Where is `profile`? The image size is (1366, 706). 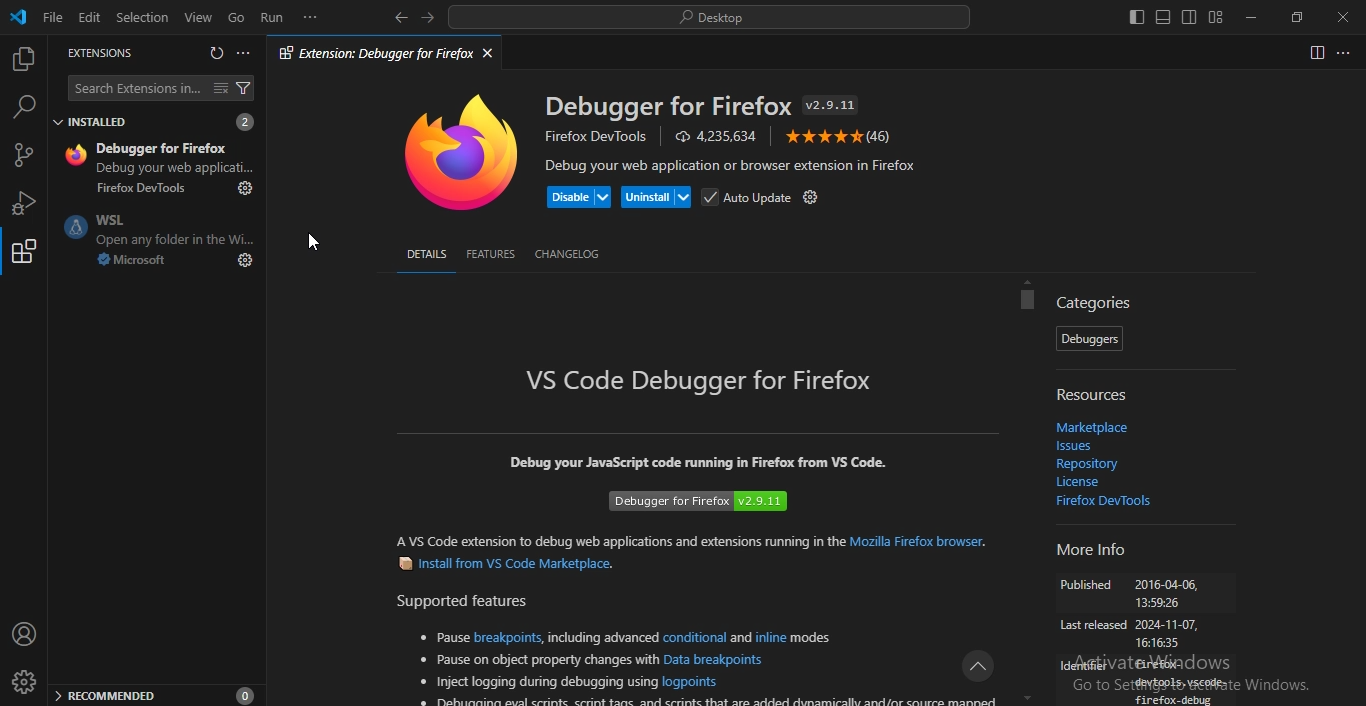
profile is located at coordinates (26, 682).